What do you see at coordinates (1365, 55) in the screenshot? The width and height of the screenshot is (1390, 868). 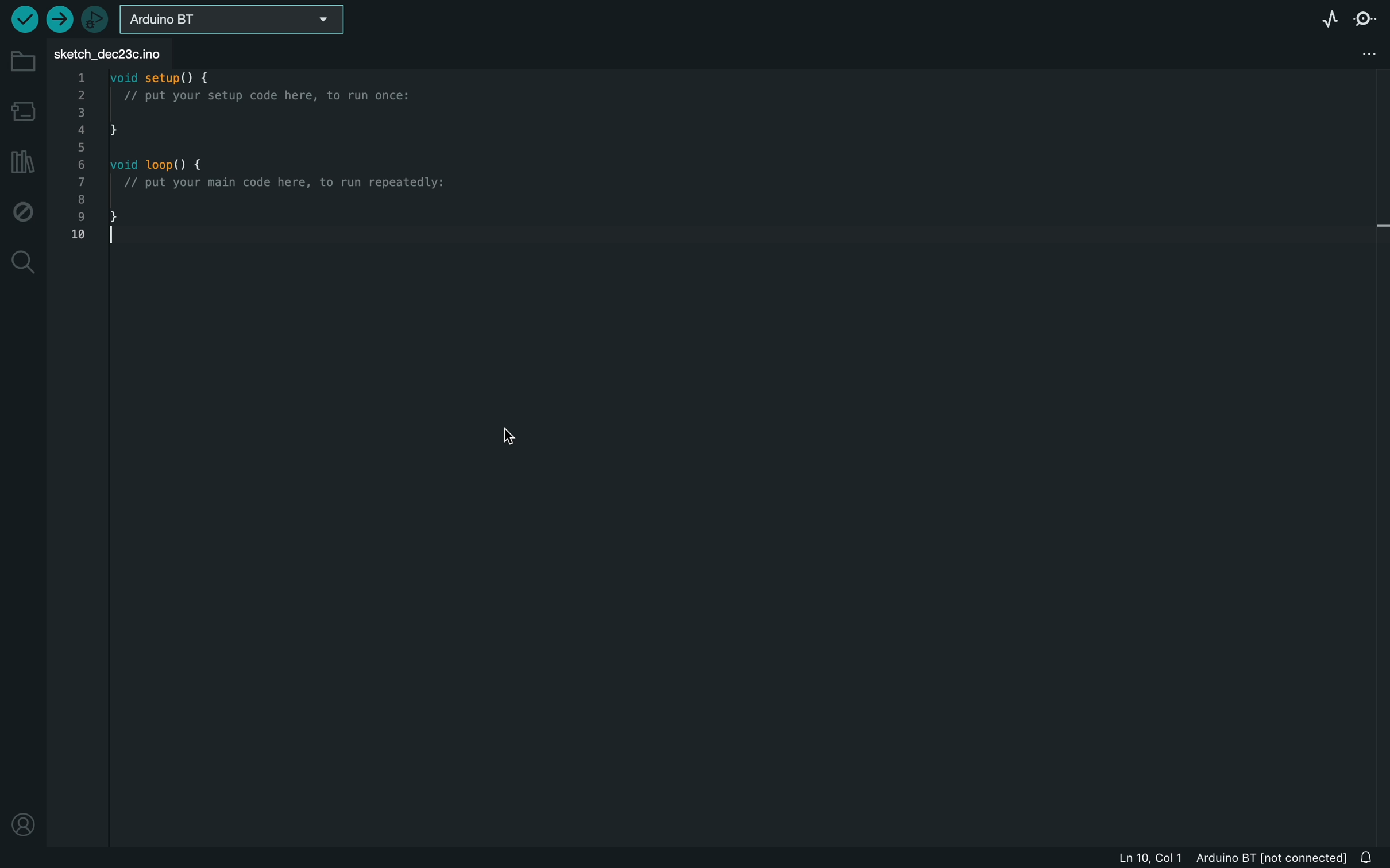 I see `tab manager` at bounding box center [1365, 55].